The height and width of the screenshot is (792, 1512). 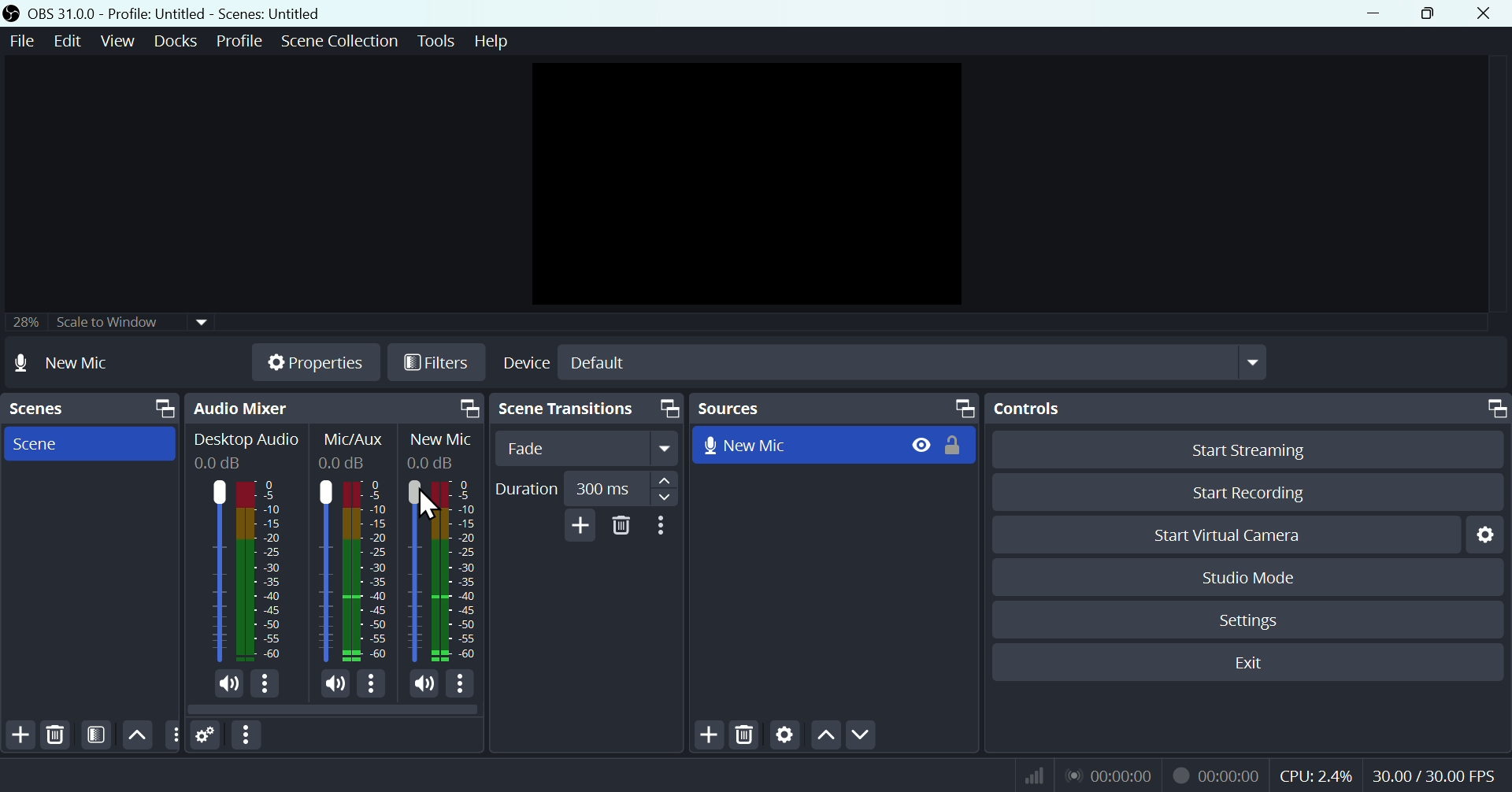 What do you see at coordinates (1434, 777) in the screenshot?
I see `Frame Per Second` at bounding box center [1434, 777].